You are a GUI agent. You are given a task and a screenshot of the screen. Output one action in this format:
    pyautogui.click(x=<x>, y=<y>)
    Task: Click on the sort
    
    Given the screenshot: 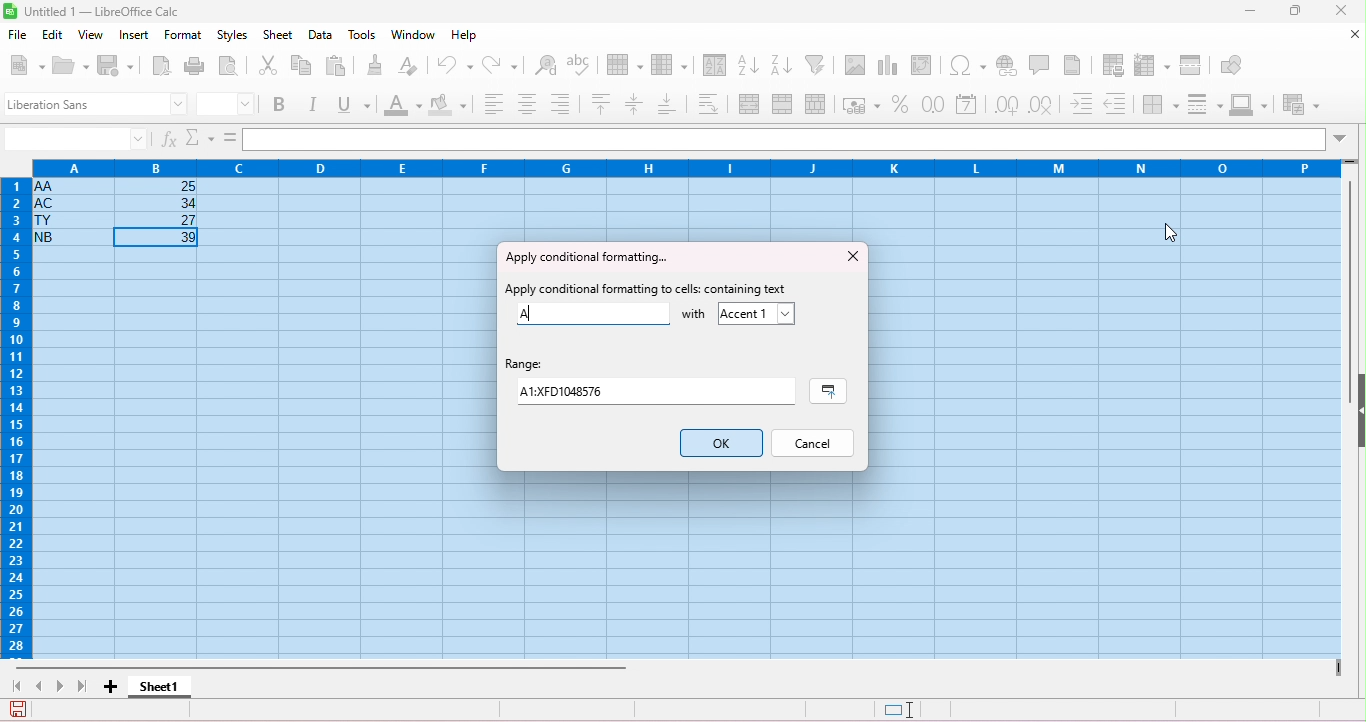 What is the action you would take?
    pyautogui.click(x=715, y=65)
    